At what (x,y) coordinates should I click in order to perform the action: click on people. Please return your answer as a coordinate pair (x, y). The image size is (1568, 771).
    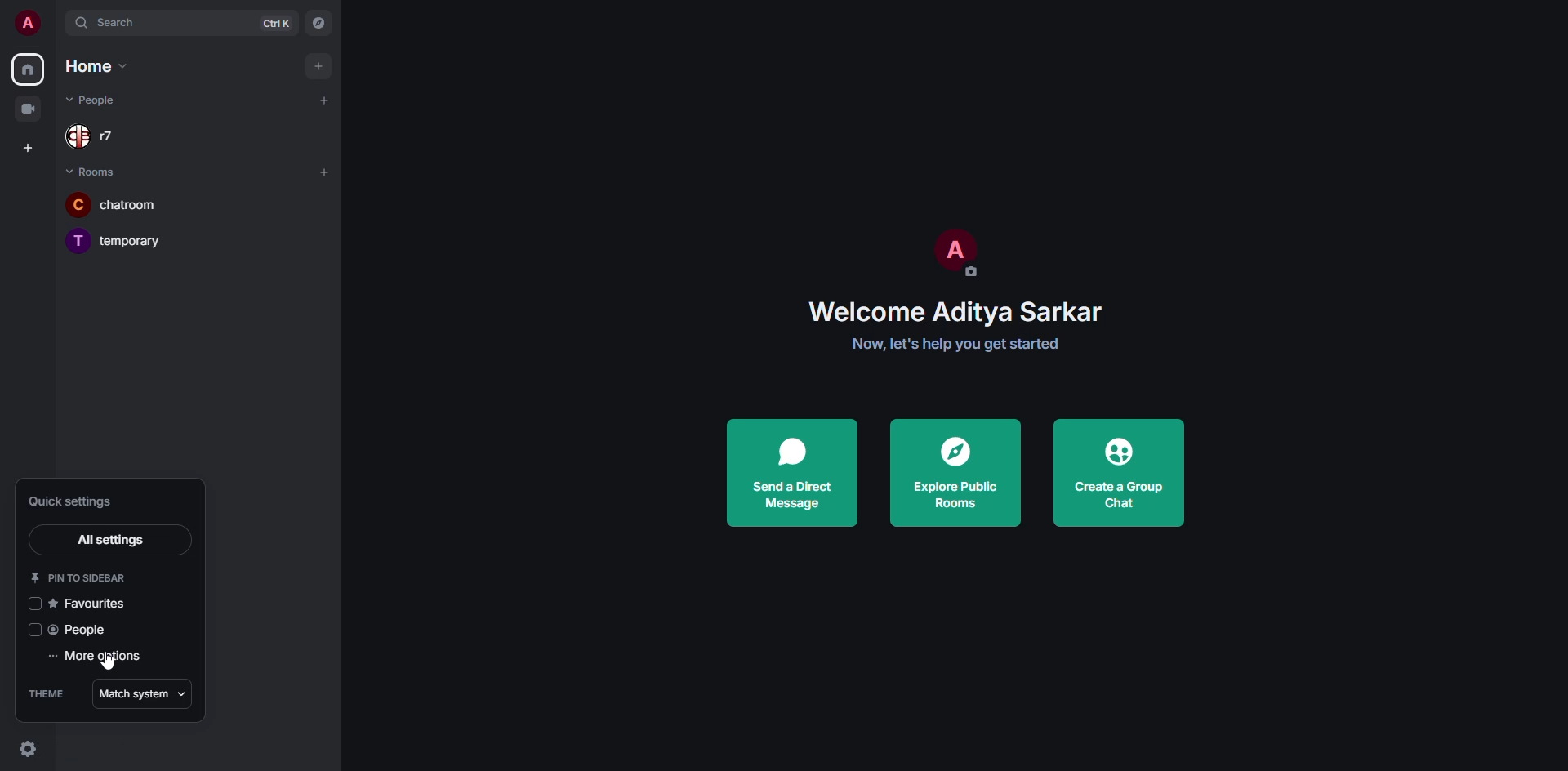
    Looking at the image, I should click on (105, 100).